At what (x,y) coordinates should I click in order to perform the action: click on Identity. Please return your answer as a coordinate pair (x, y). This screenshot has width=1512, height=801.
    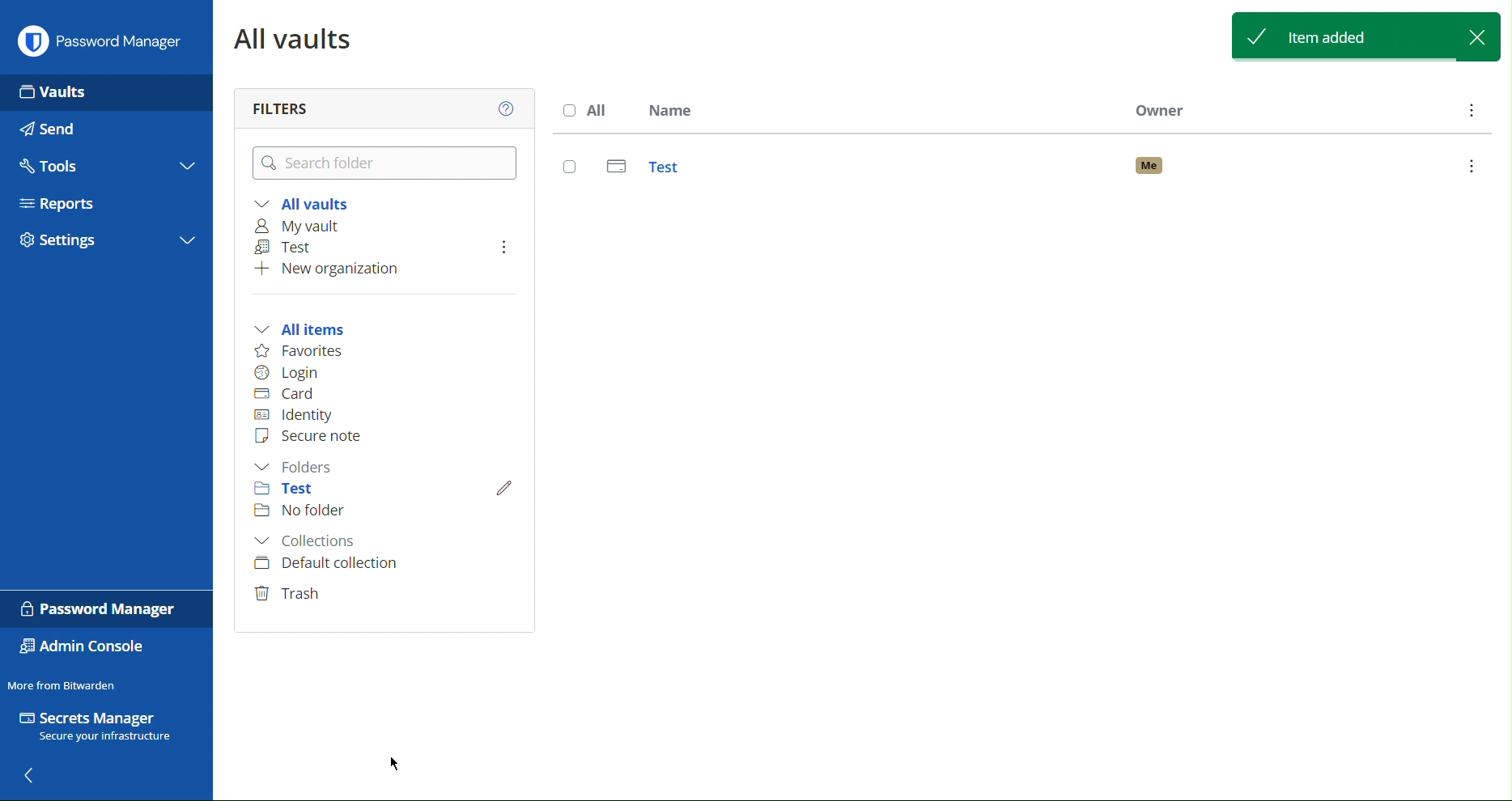
    Looking at the image, I should click on (295, 415).